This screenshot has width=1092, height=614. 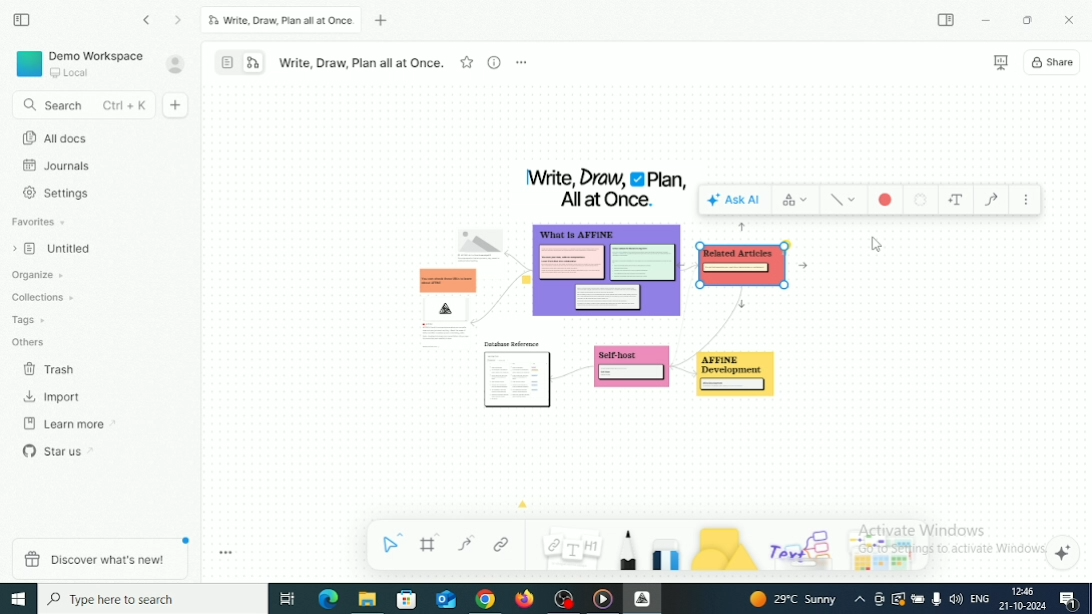 I want to click on Eraser, so click(x=666, y=551).